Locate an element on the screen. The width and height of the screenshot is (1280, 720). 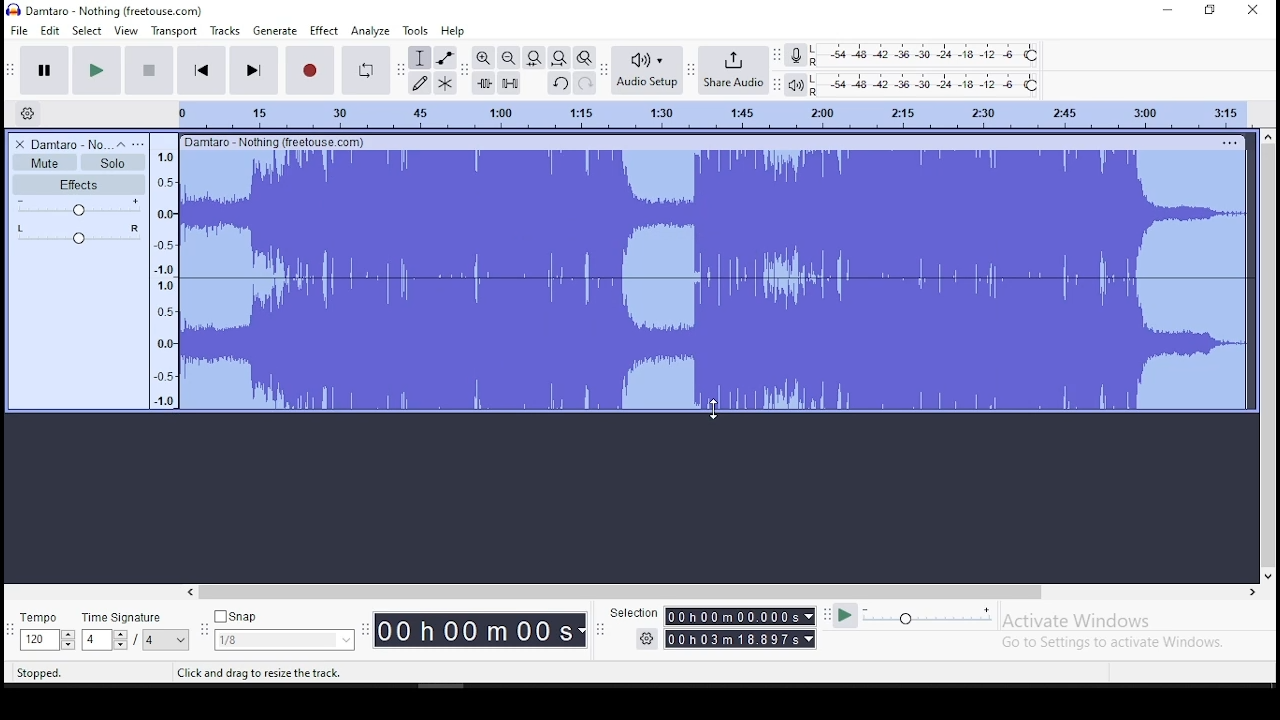
Horizontal scrollbar is located at coordinates (708, 593).